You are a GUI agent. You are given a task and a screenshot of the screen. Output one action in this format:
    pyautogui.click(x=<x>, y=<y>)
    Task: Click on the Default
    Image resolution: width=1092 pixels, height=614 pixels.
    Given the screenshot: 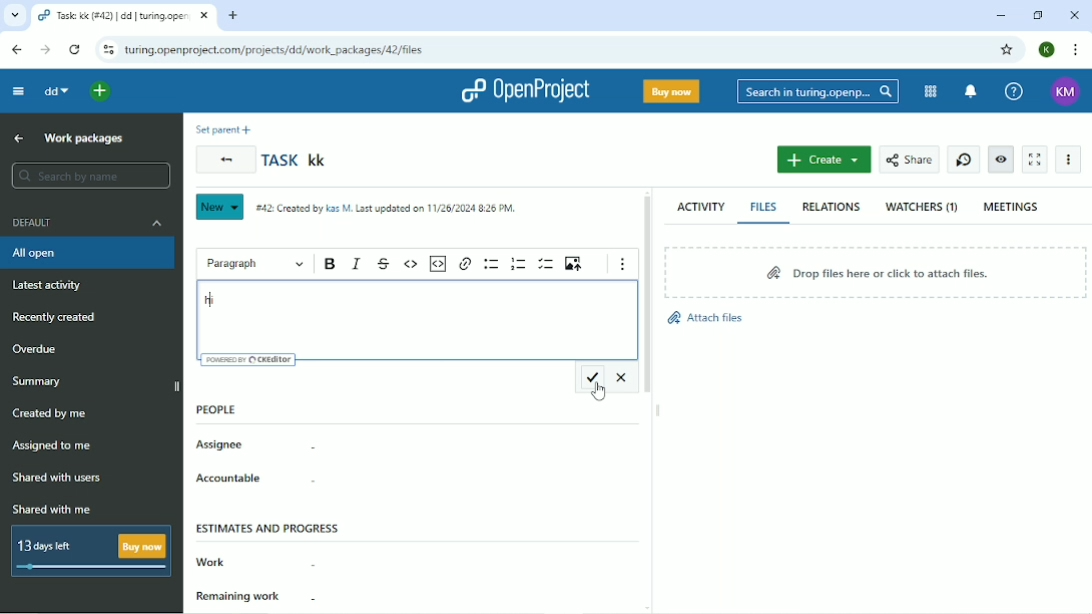 What is the action you would take?
    pyautogui.click(x=89, y=223)
    